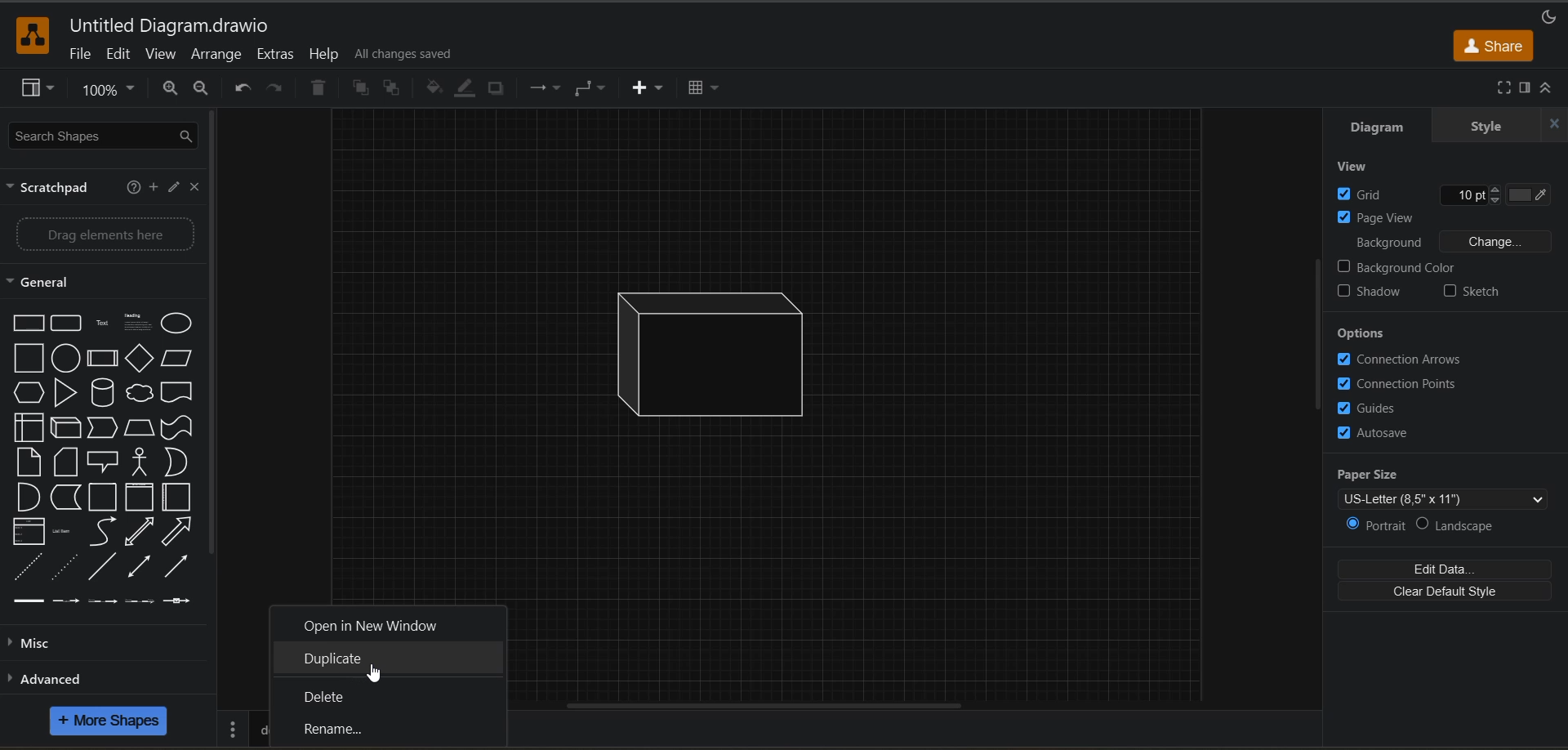 The image size is (1568, 750). Describe the element at coordinates (1401, 384) in the screenshot. I see `connection points` at that location.